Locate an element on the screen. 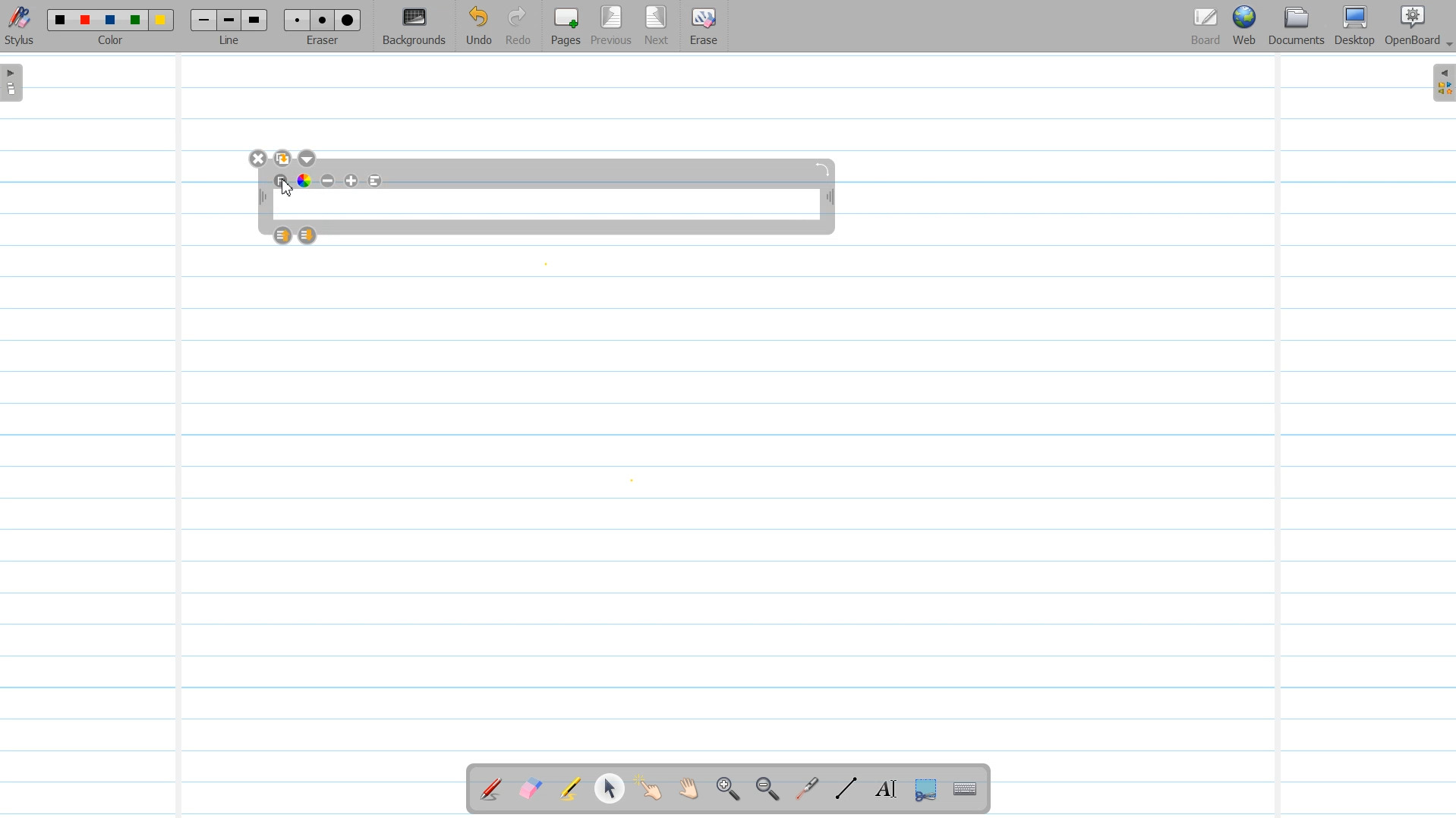  Cursor is located at coordinates (287, 188).